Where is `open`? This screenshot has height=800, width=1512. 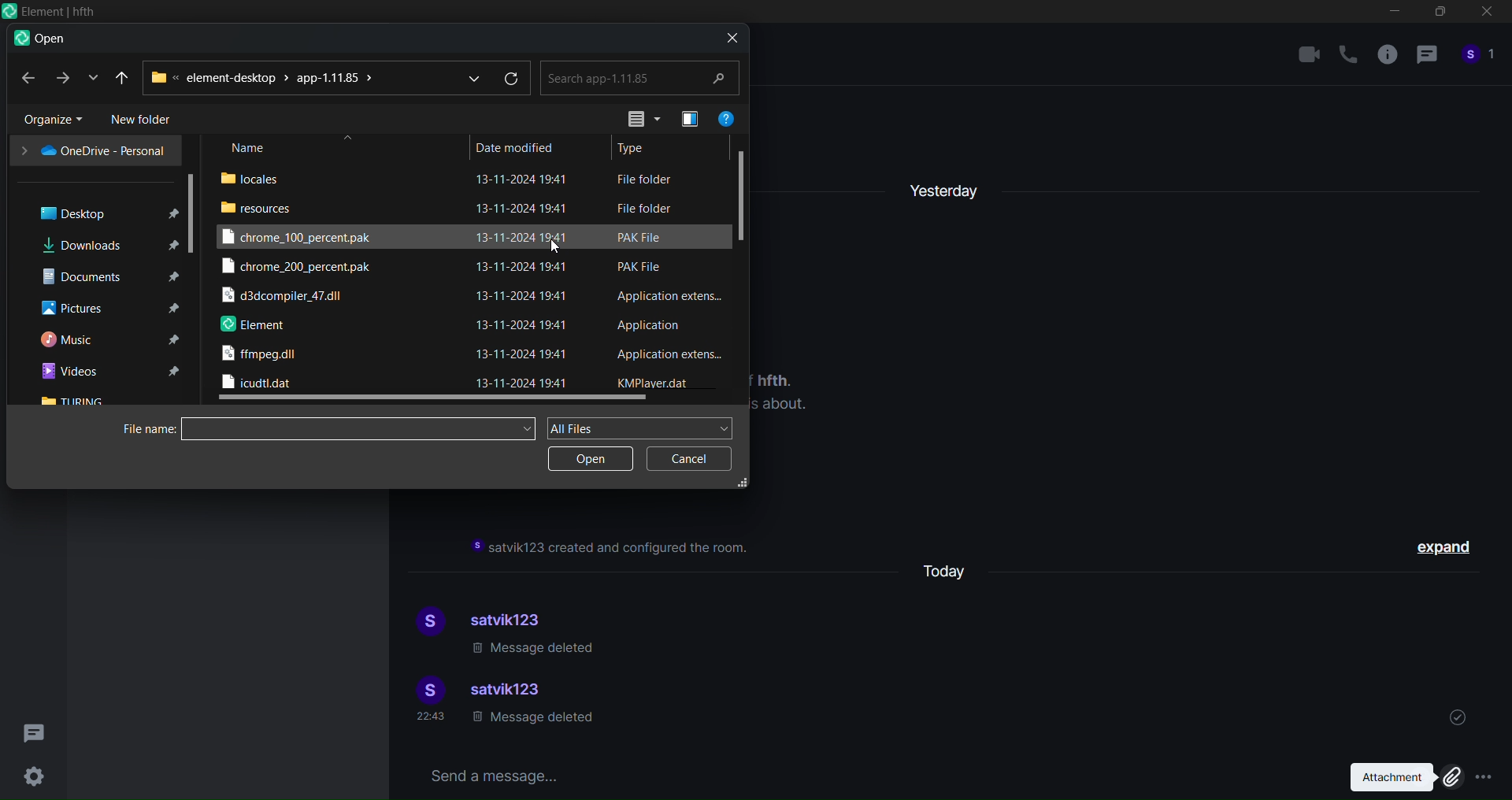
open is located at coordinates (591, 459).